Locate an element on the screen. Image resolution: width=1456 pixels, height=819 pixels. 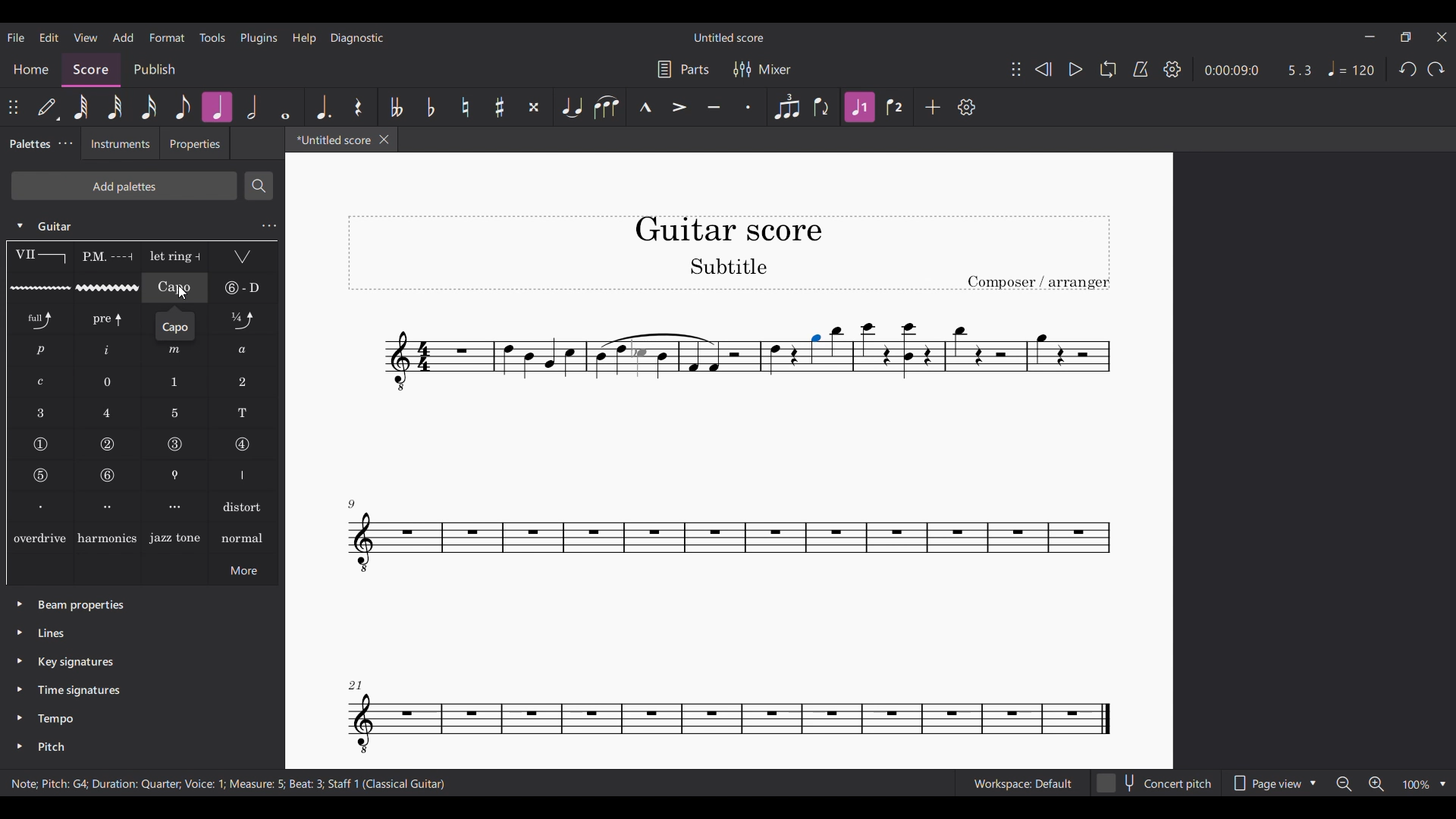
Current duration is located at coordinates (1232, 69).